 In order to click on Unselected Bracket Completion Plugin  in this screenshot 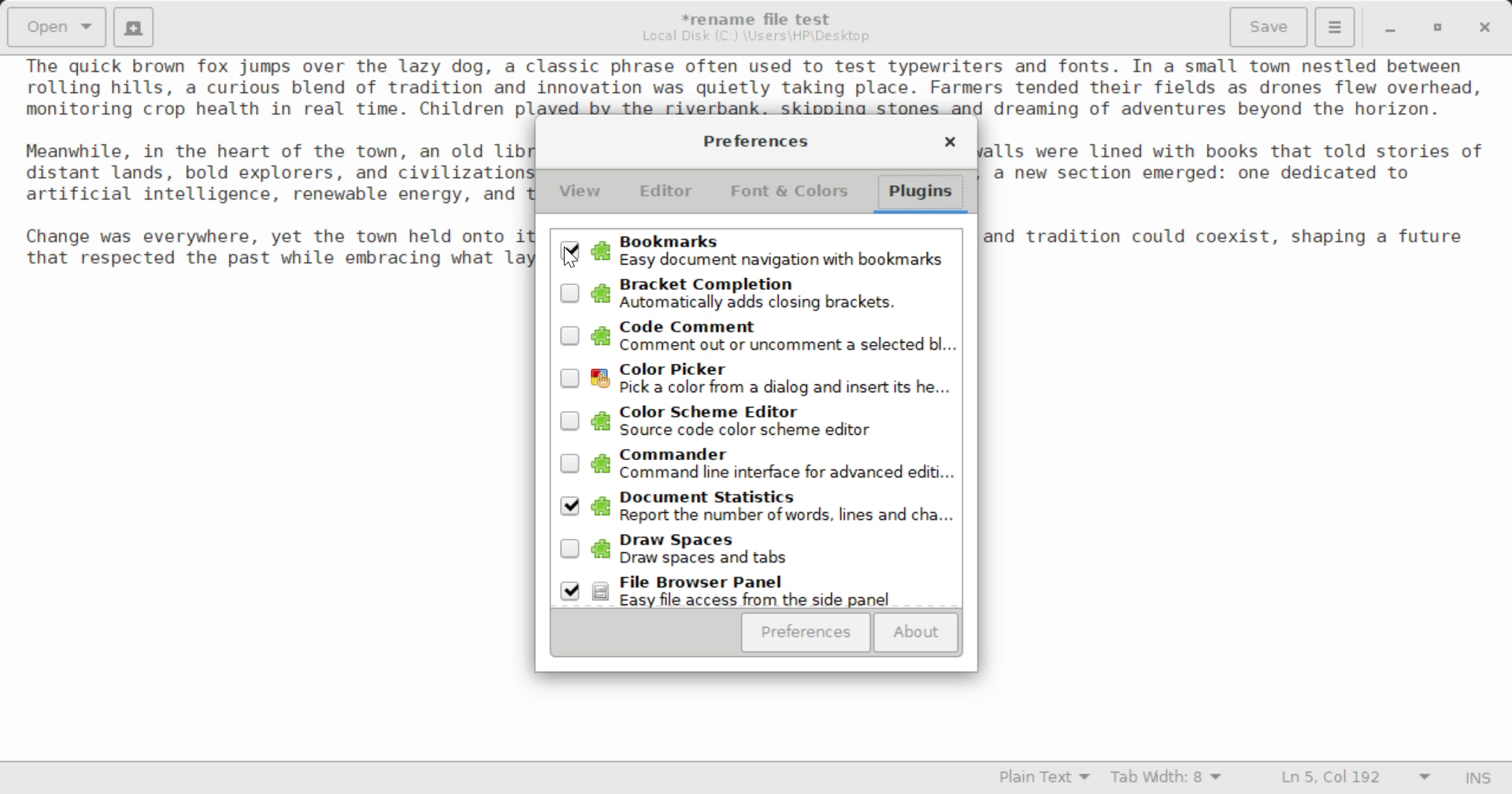, I will do `click(757, 295)`.